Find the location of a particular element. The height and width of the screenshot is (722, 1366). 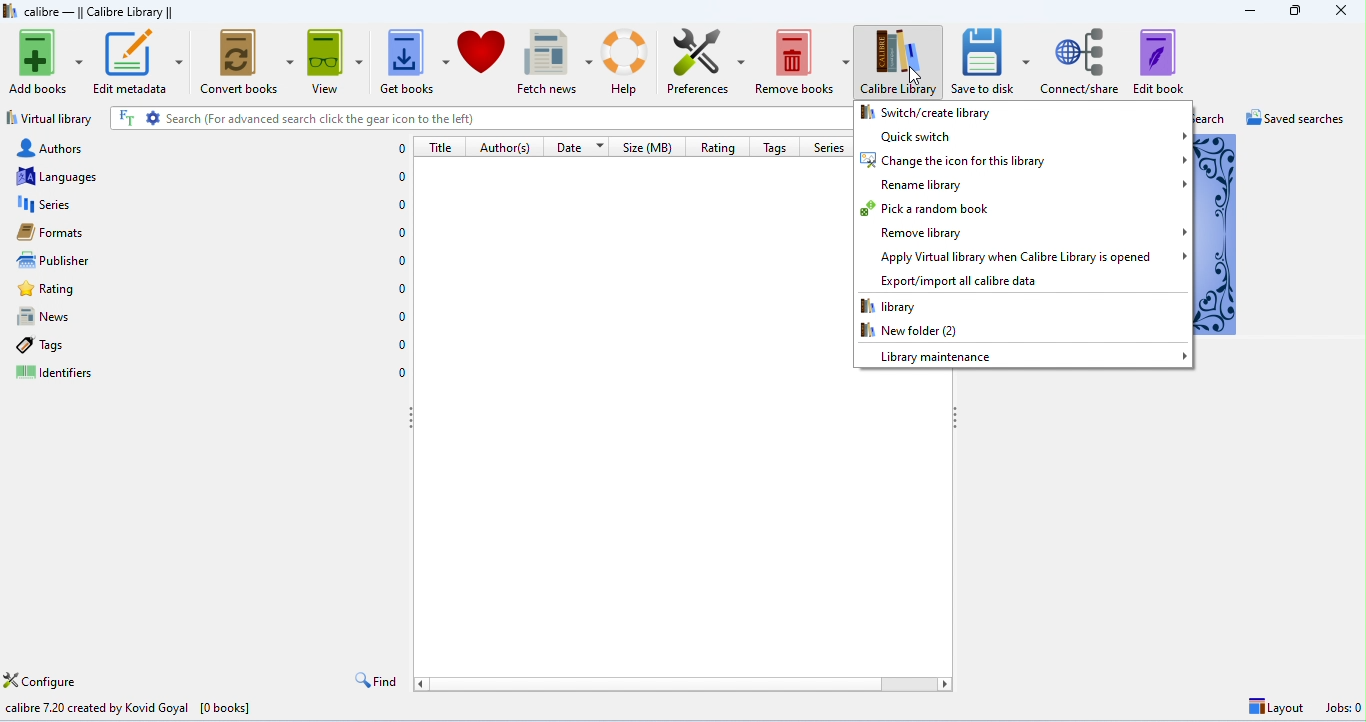

preferences is located at coordinates (705, 60).